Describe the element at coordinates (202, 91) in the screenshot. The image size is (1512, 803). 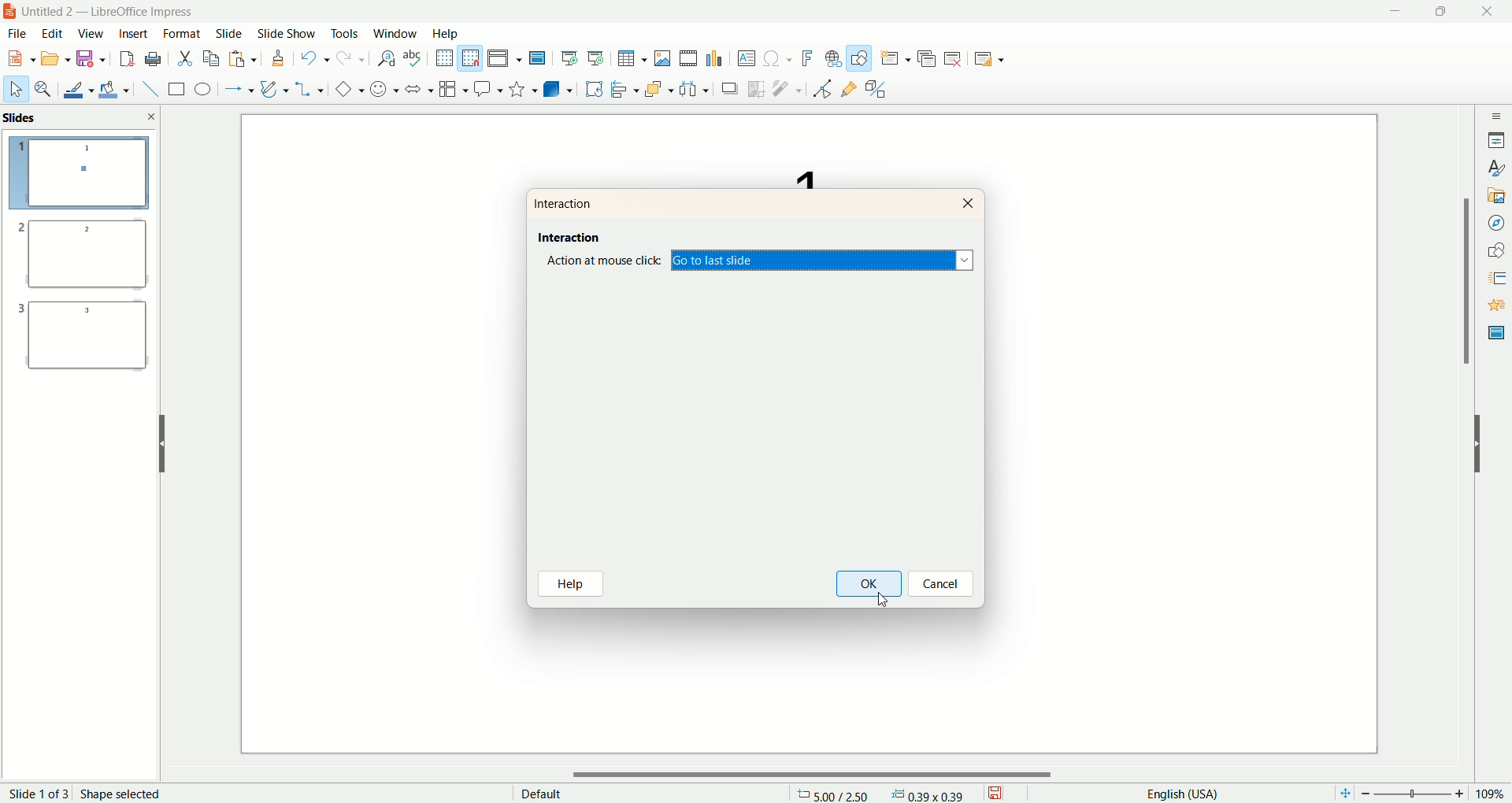
I see `ellipse` at that location.